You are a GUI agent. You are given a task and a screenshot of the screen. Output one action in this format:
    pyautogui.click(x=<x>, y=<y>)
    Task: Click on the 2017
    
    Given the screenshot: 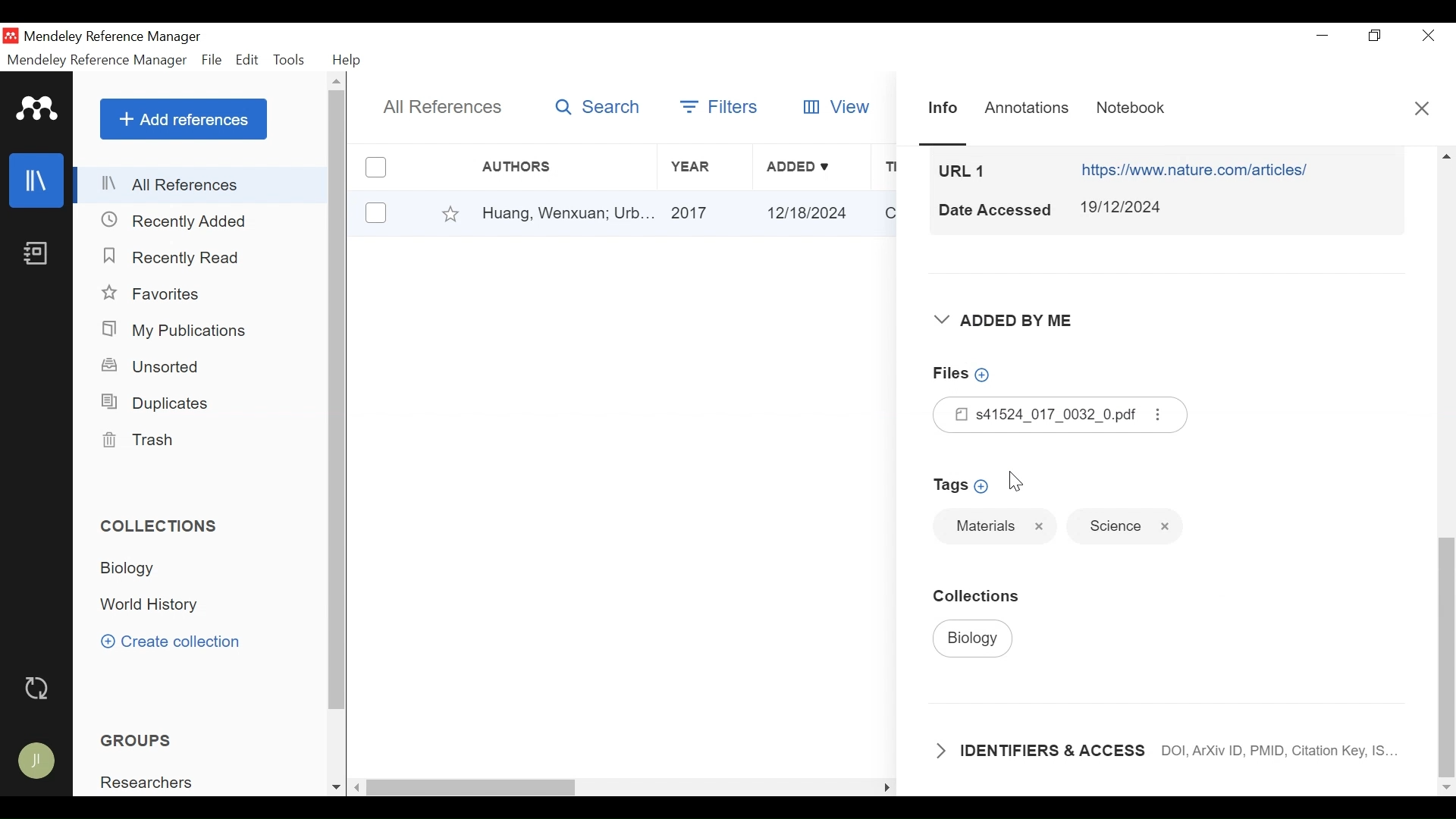 What is the action you would take?
    pyautogui.click(x=706, y=214)
    